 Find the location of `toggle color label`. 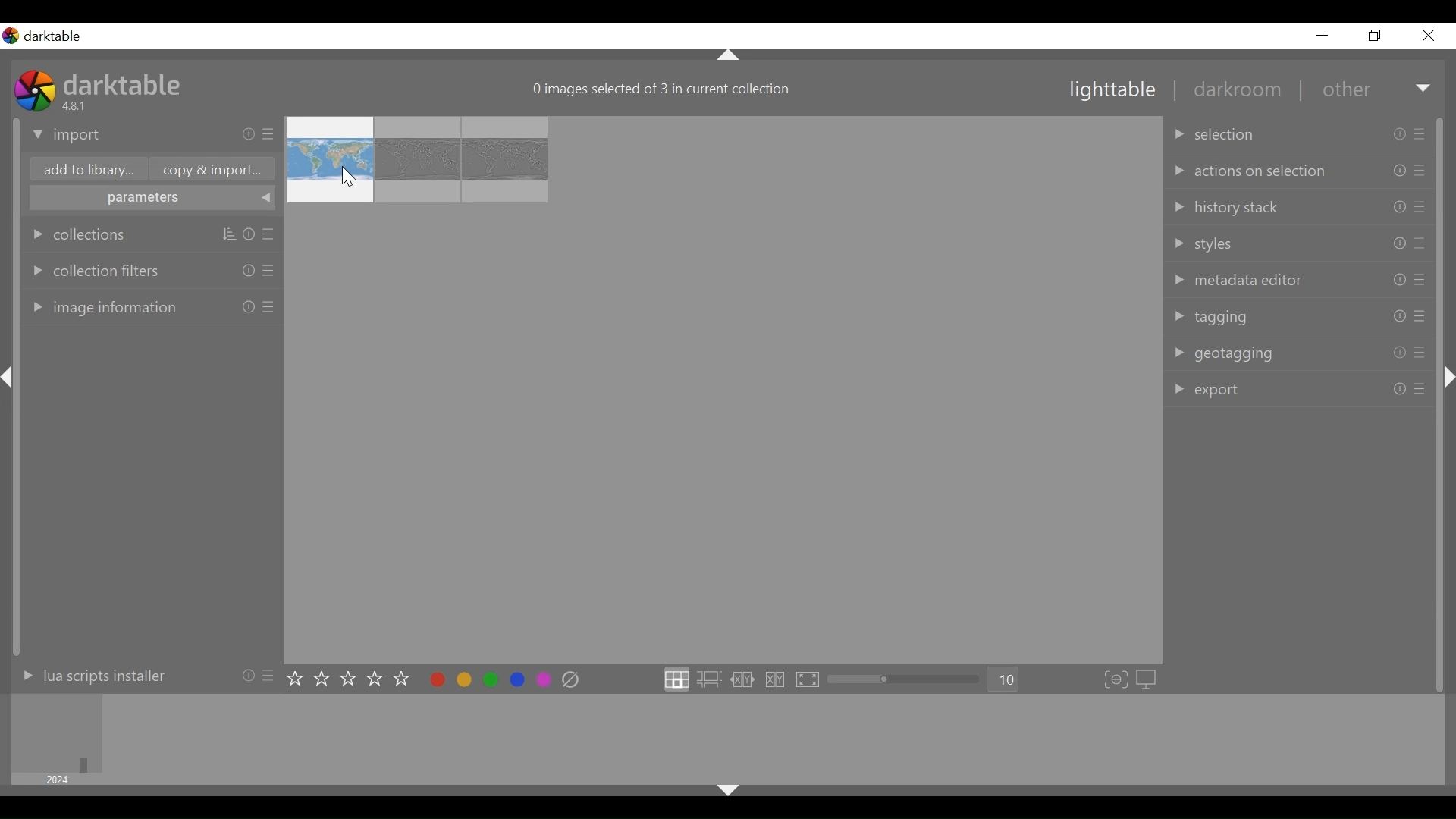

toggle color label is located at coordinates (488, 680).